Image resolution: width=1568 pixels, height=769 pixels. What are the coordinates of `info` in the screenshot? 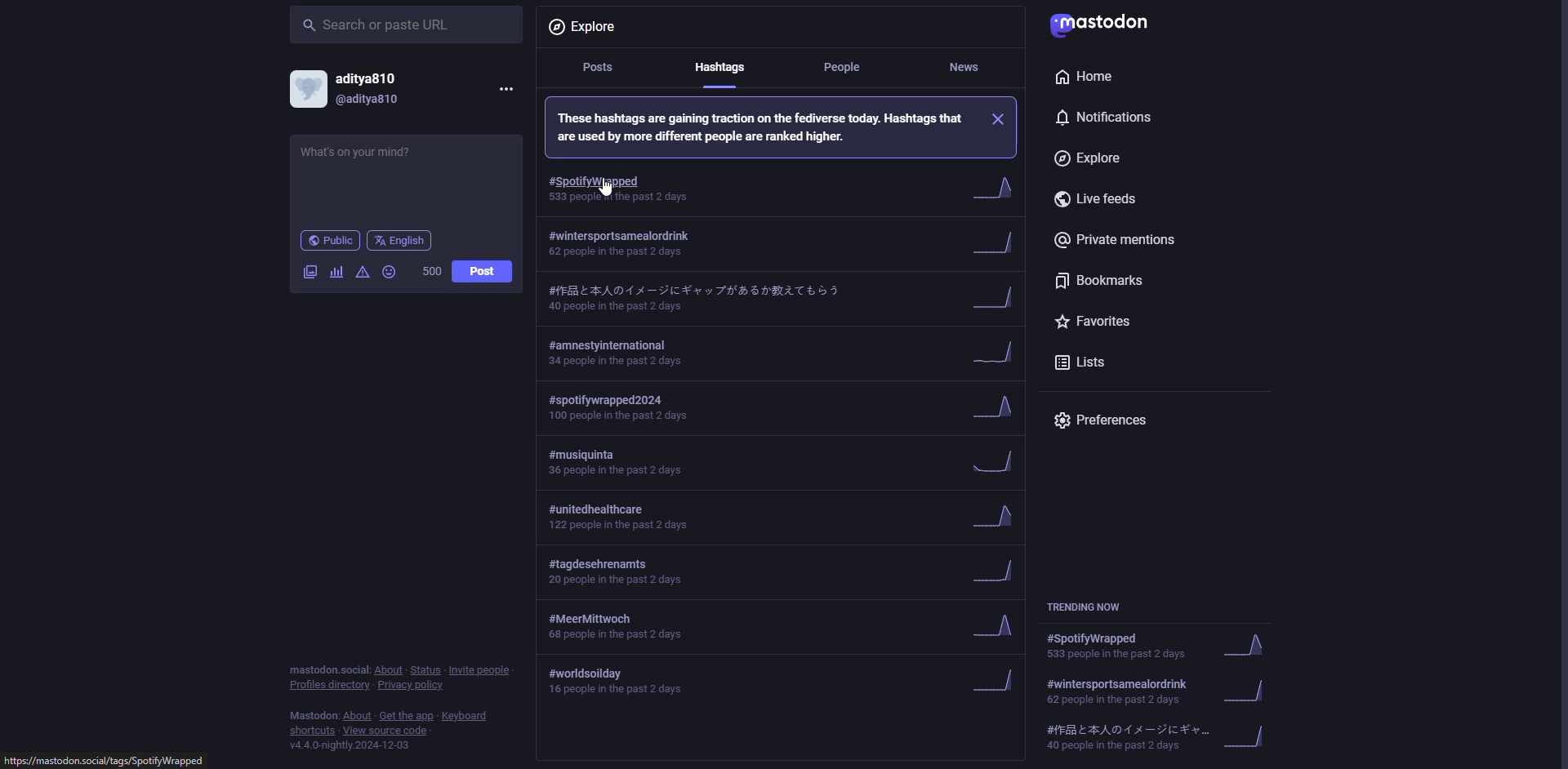 It's located at (761, 128).